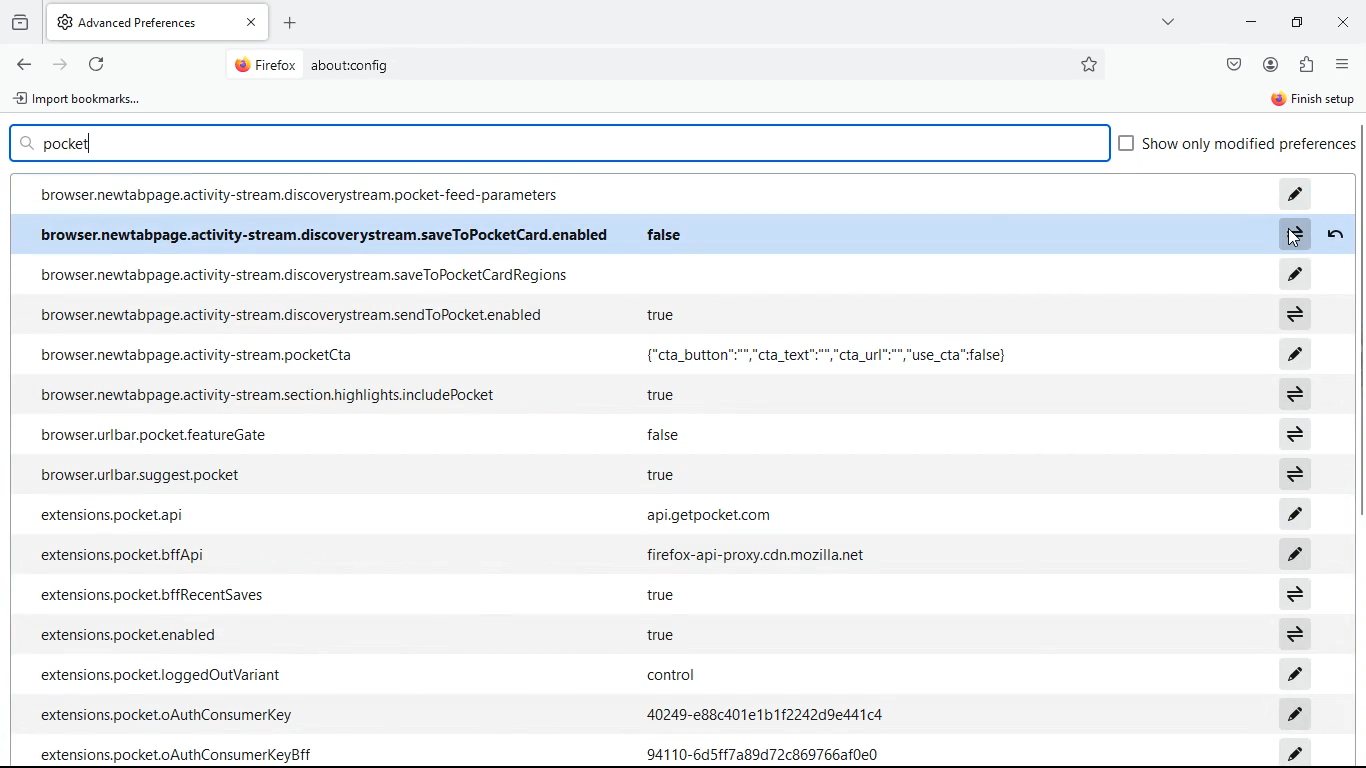  Describe the element at coordinates (23, 64) in the screenshot. I see `back` at that location.